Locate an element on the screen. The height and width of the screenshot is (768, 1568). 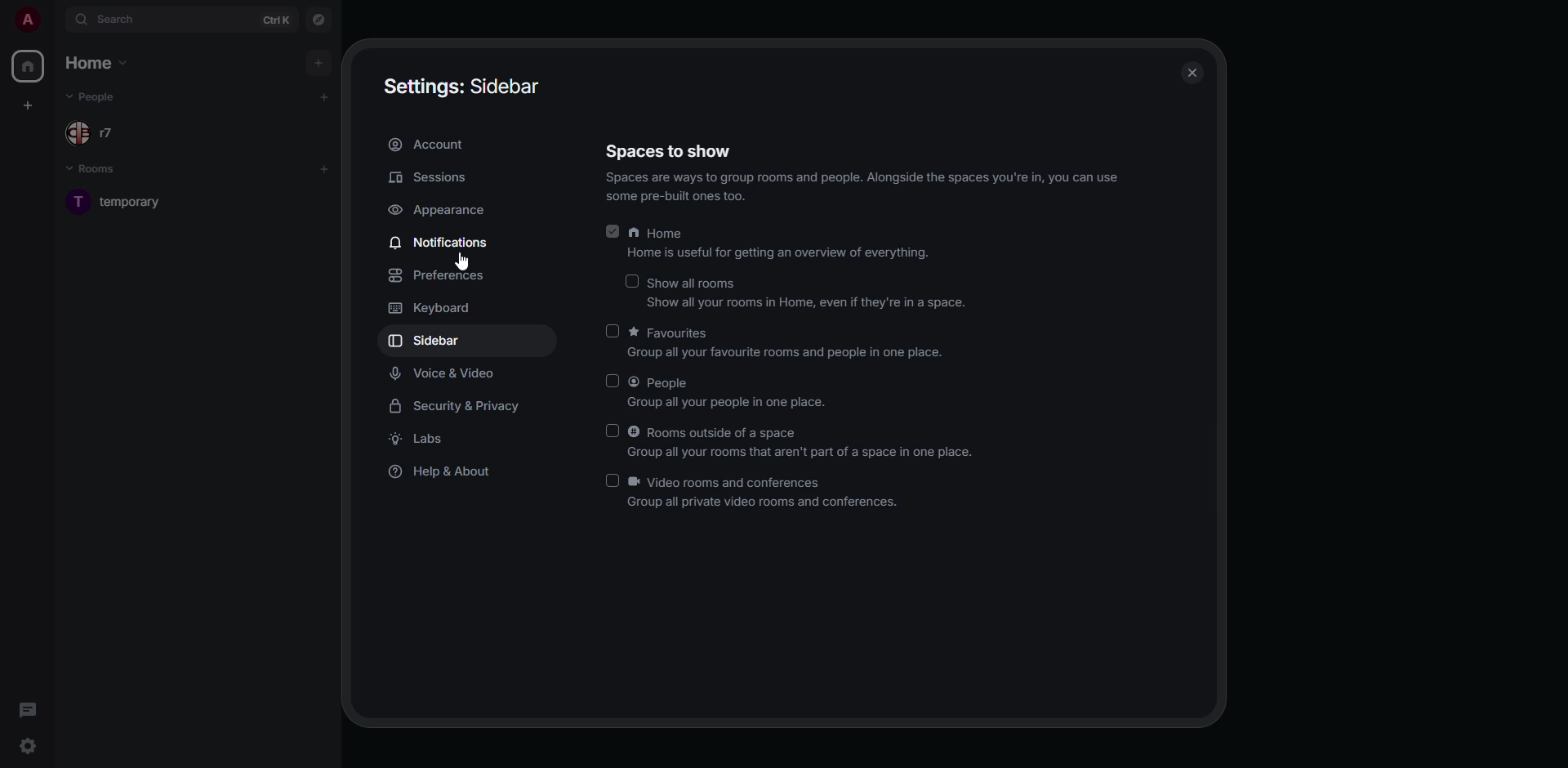
enabled is located at coordinates (609, 230).